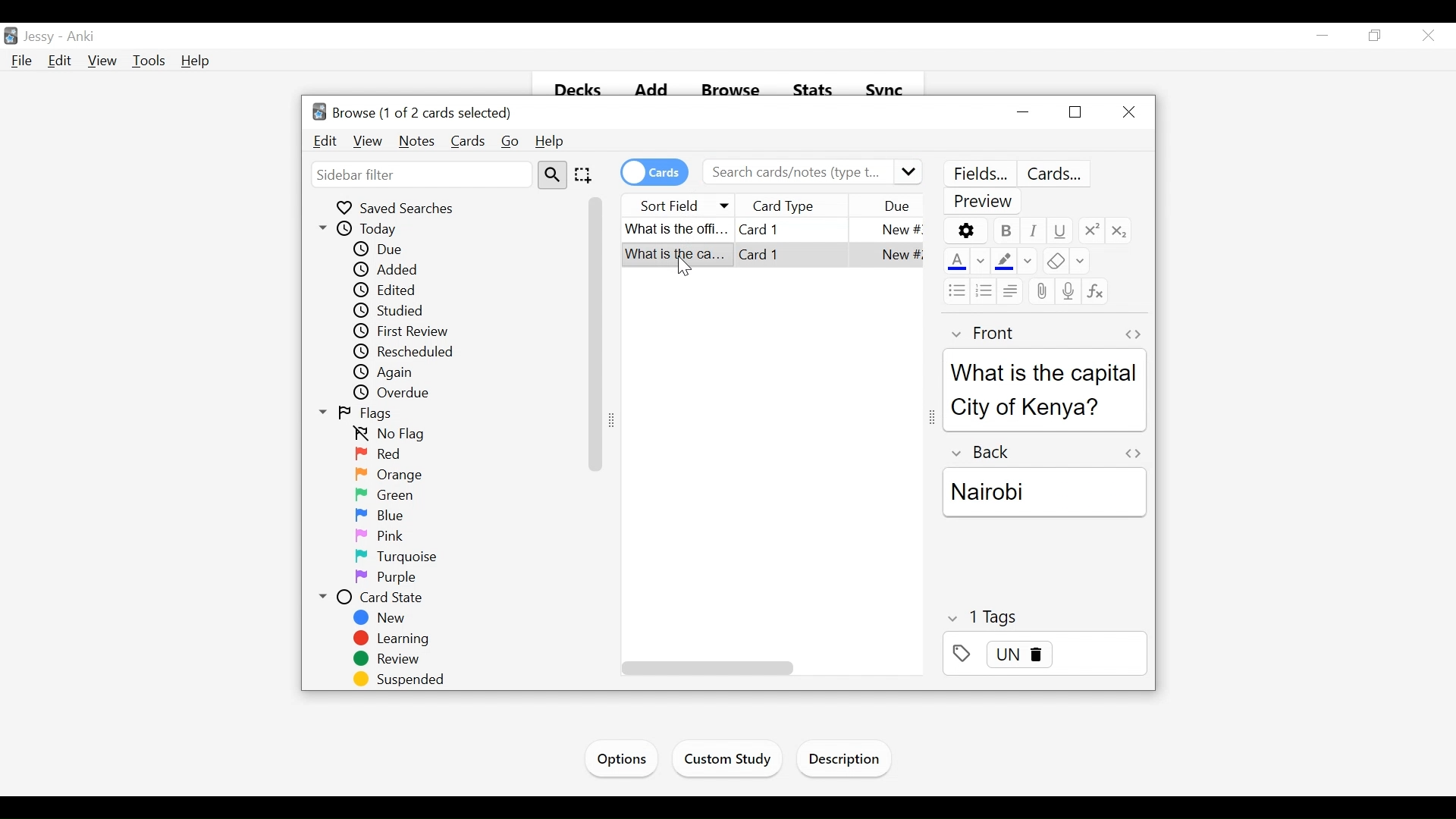 The height and width of the screenshot is (819, 1456). What do you see at coordinates (805, 206) in the screenshot?
I see `Card Type` at bounding box center [805, 206].